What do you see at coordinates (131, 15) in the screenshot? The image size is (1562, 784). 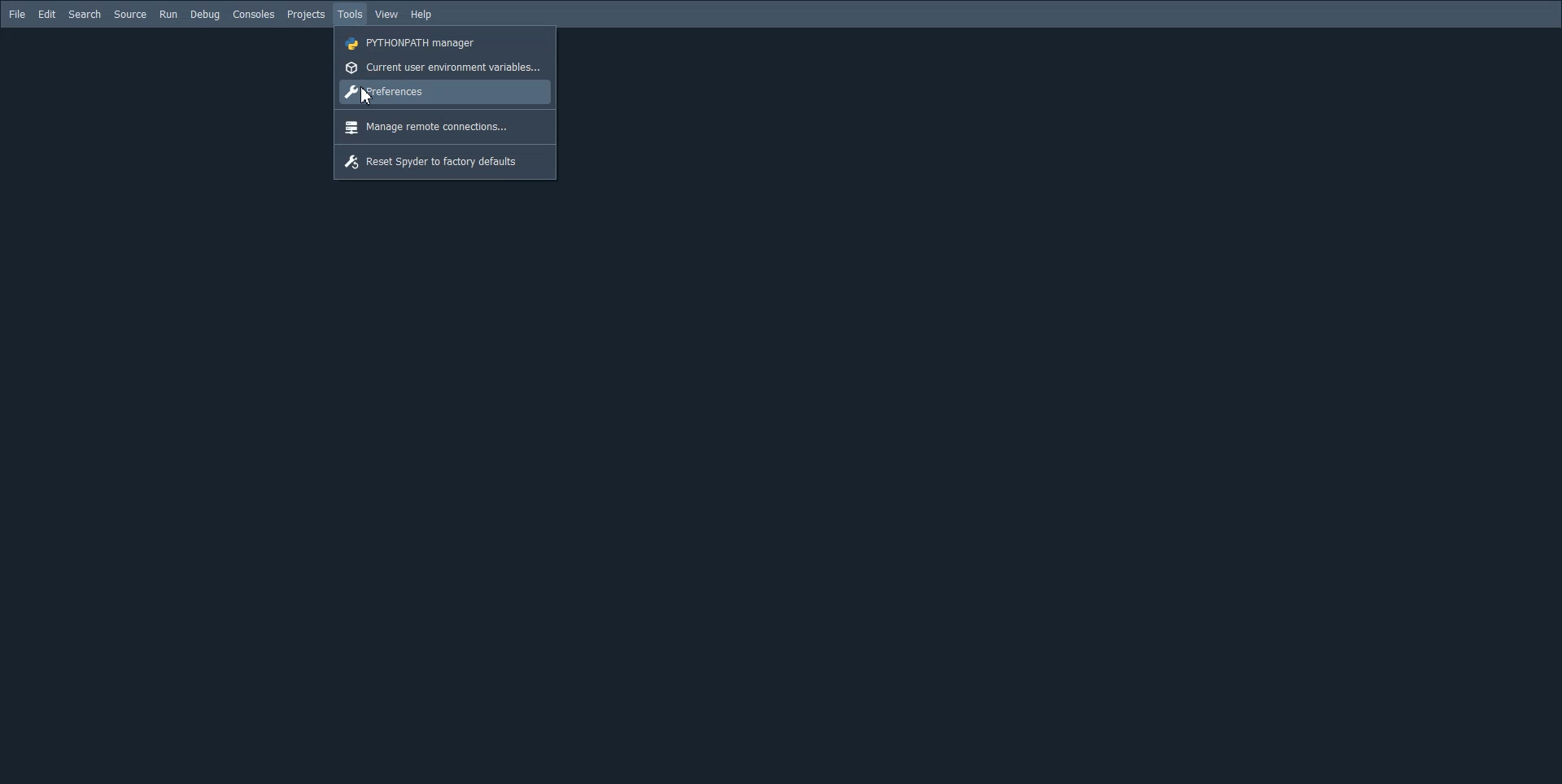 I see `Source` at bounding box center [131, 15].